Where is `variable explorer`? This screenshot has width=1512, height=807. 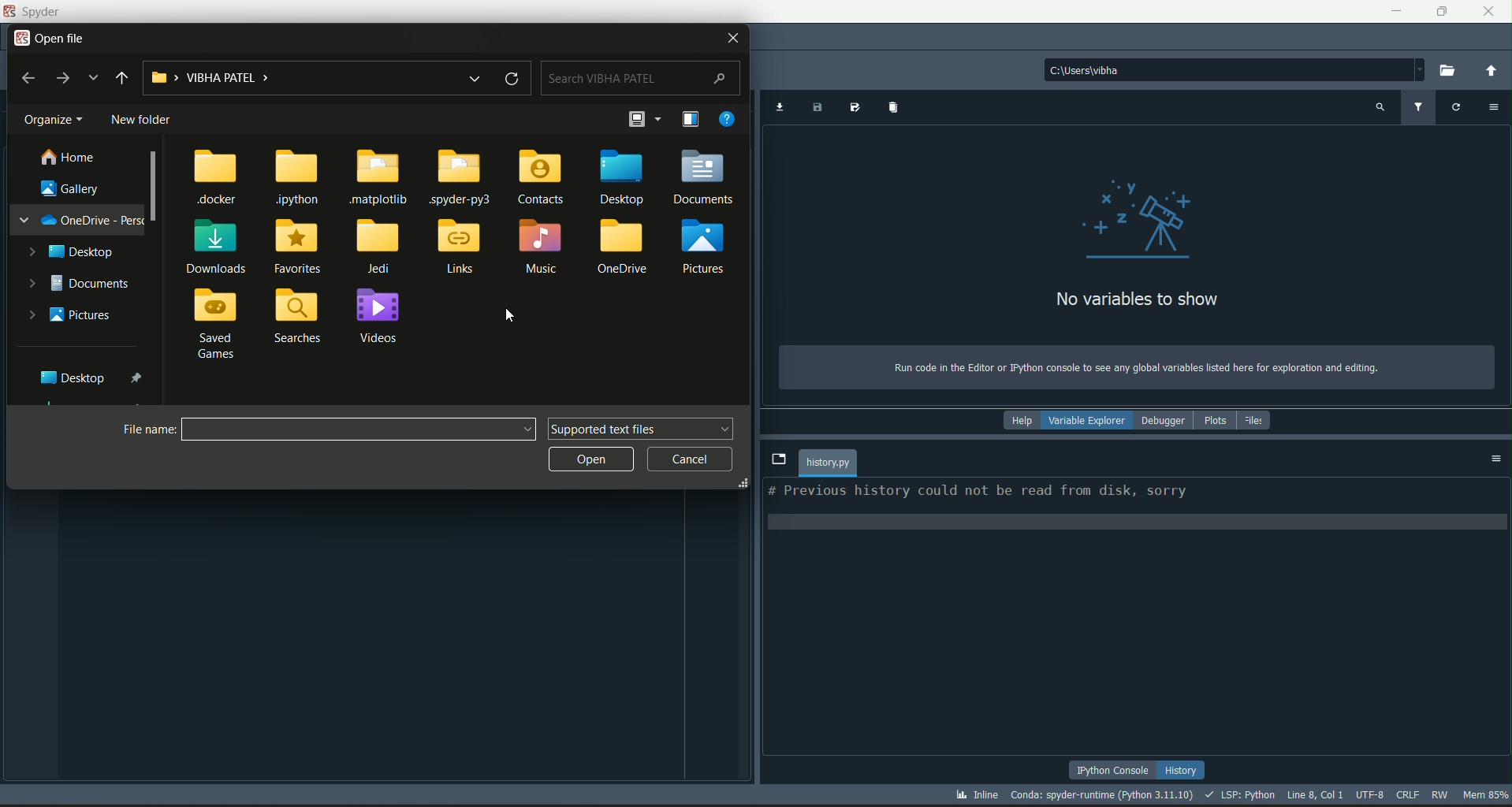 variable explorer is located at coordinates (1086, 421).